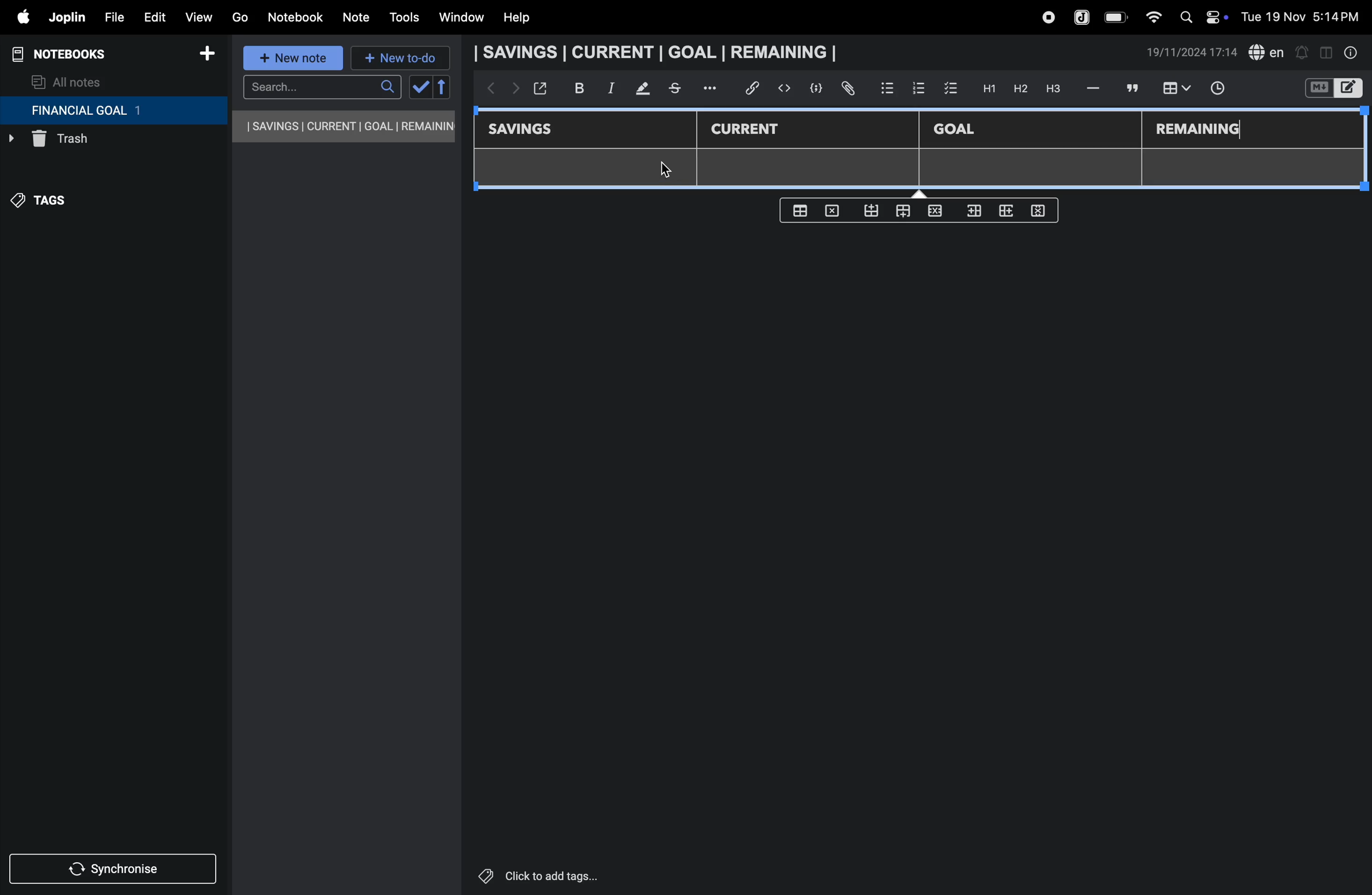  What do you see at coordinates (402, 17) in the screenshot?
I see `tools` at bounding box center [402, 17].